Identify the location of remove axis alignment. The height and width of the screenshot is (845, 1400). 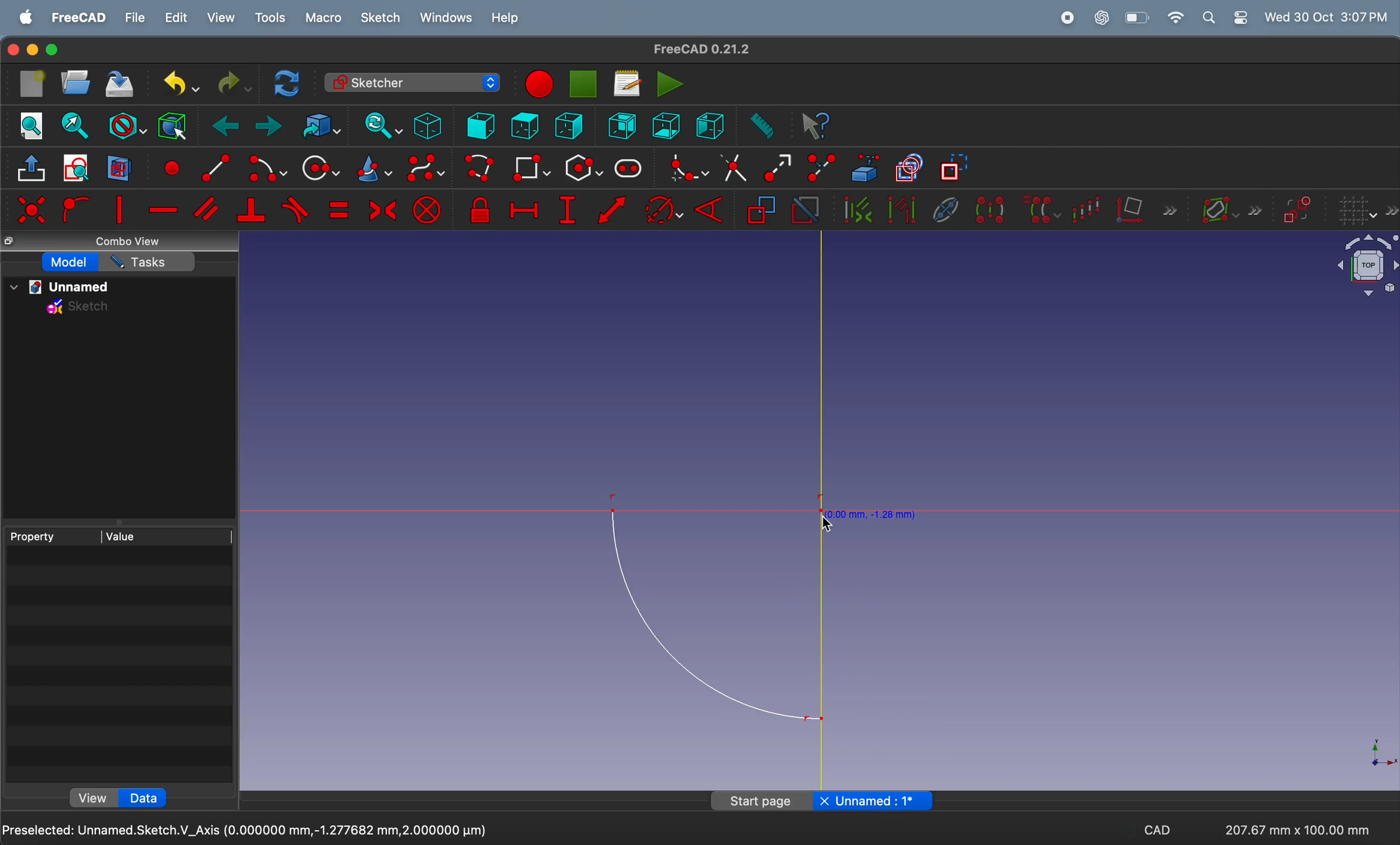
(1147, 209).